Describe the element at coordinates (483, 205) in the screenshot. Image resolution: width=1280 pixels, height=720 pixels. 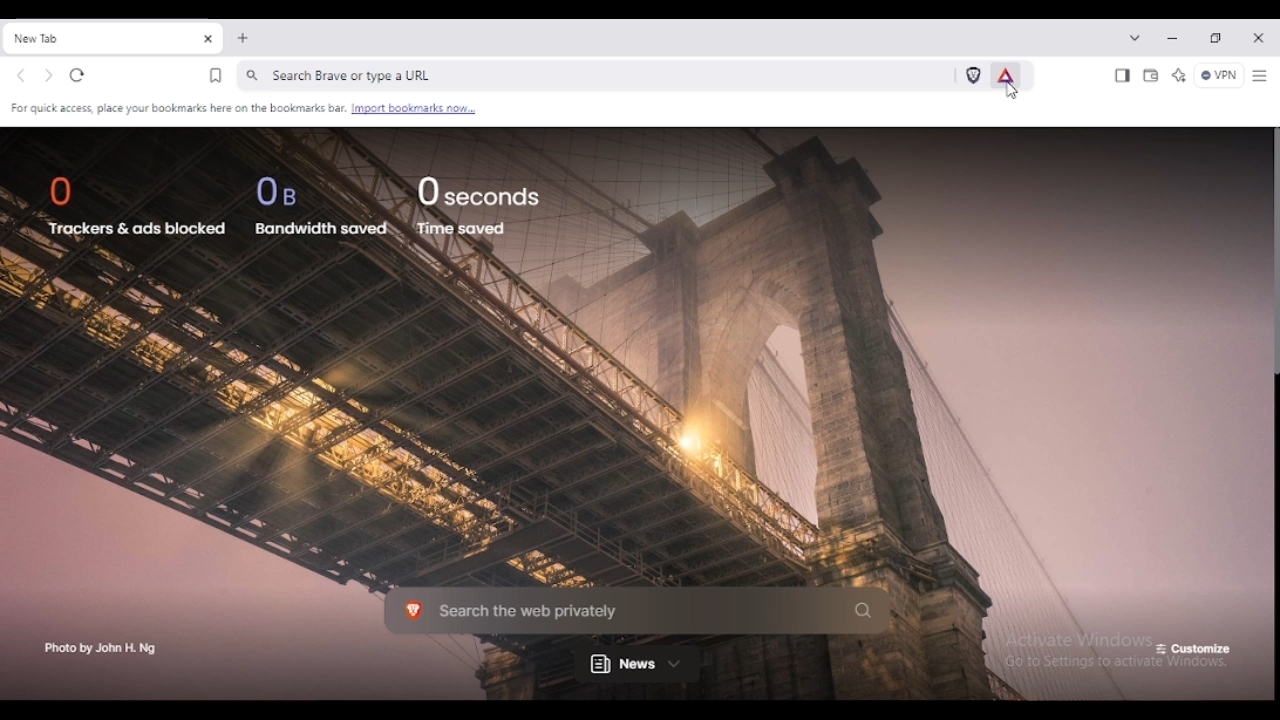
I see `0 seconds time saved` at that location.